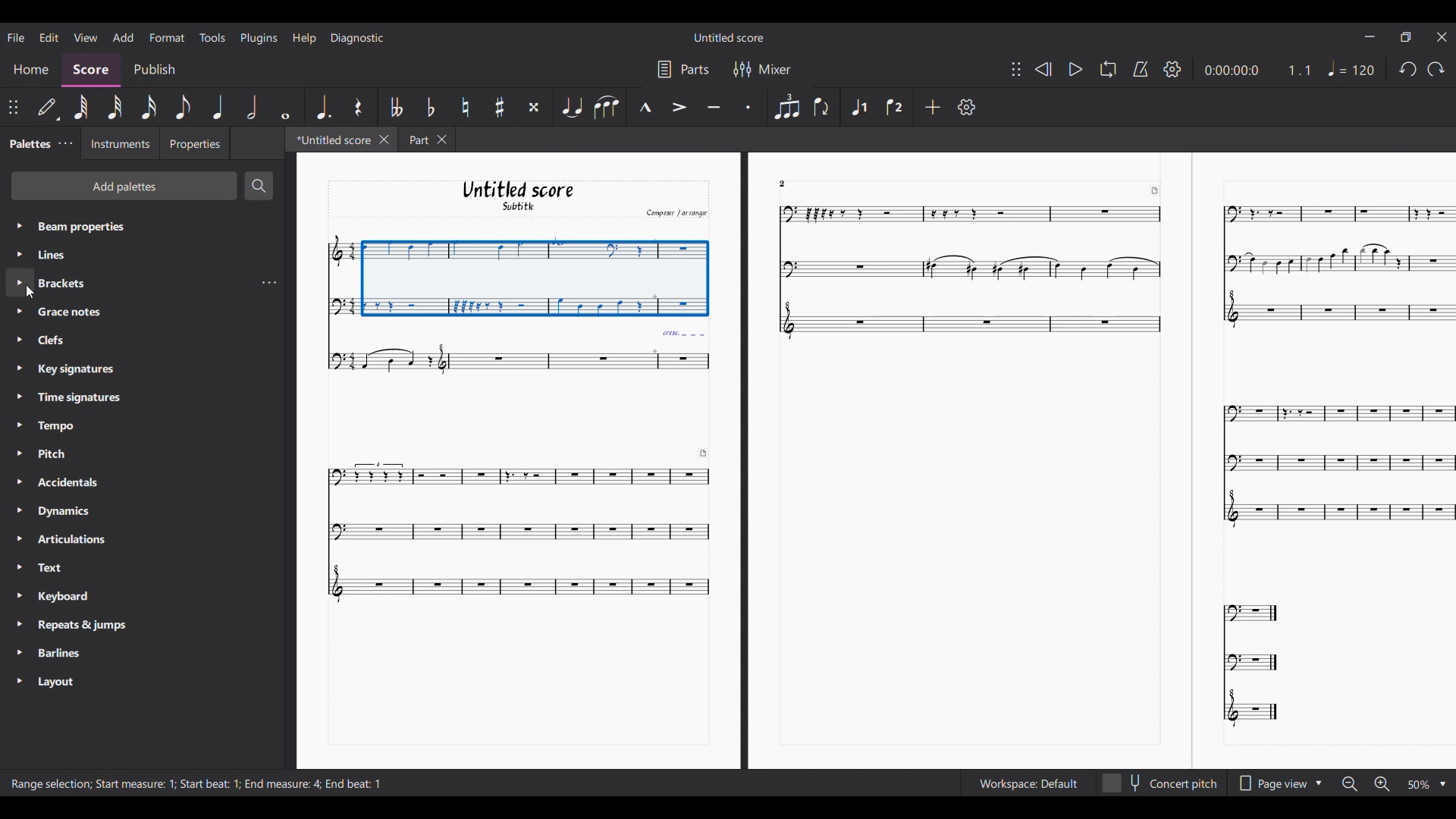 This screenshot has height=819, width=1456. Describe the element at coordinates (219, 107) in the screenshot. I see `Quarter note` at that location.